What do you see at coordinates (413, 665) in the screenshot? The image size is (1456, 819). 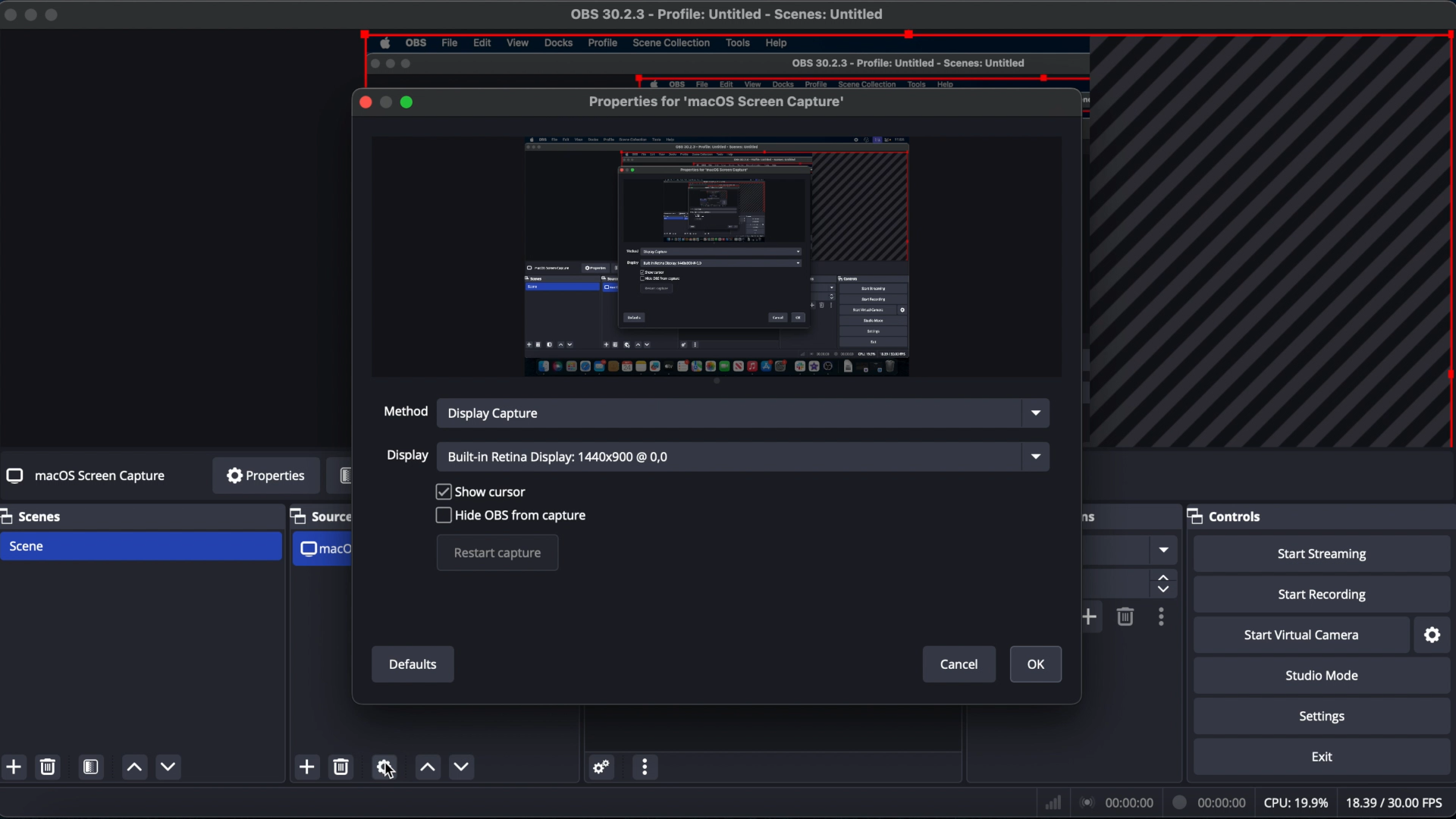 I see `defaults` at bounding box center [413, 665].